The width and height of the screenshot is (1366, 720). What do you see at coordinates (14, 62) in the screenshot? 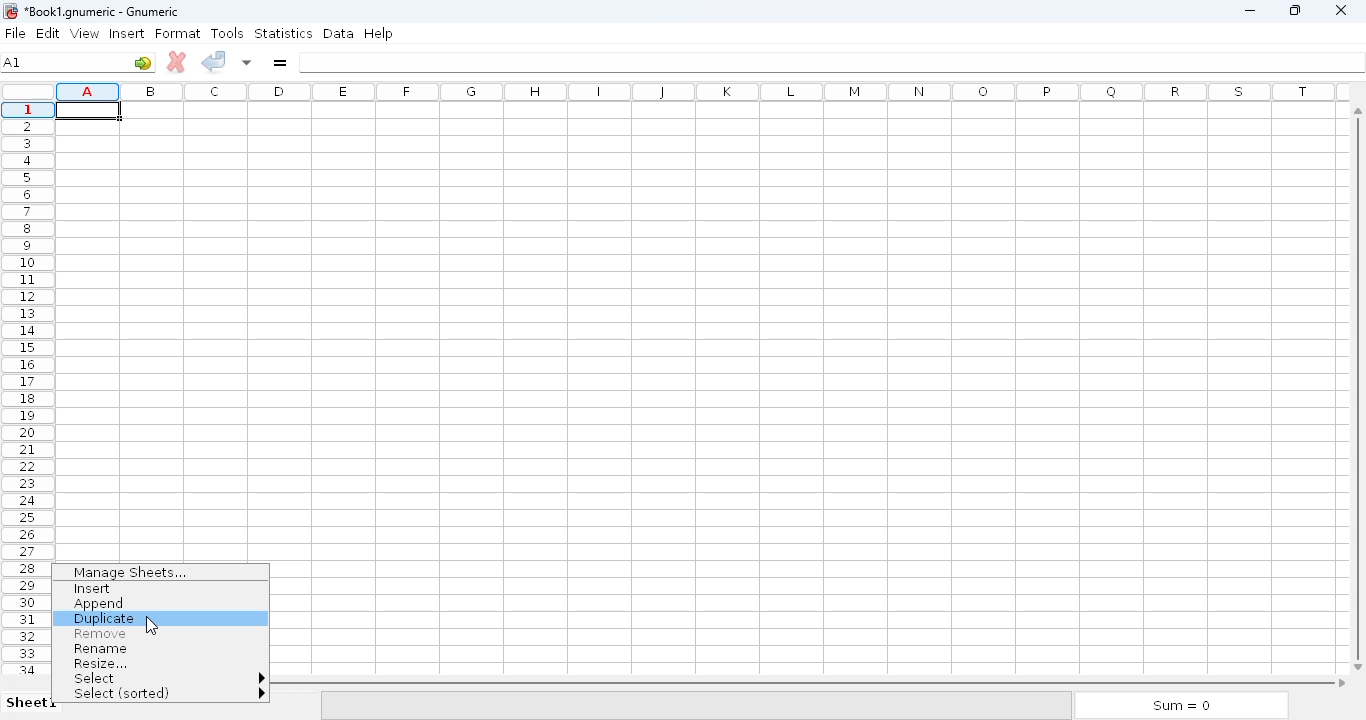
I see `cell name A1` at bounding box center [14, 62].